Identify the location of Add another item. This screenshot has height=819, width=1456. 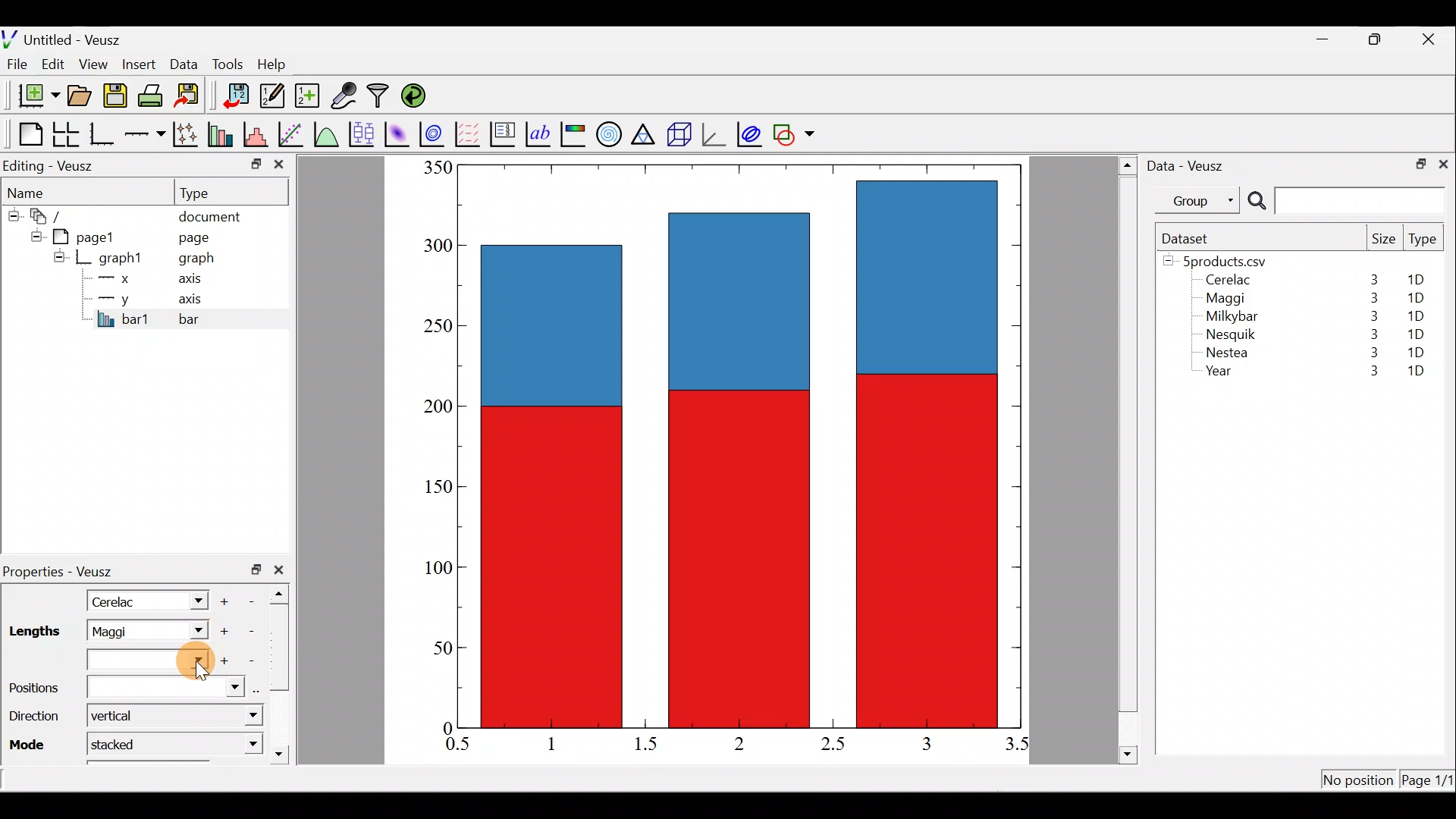
(226, 661).